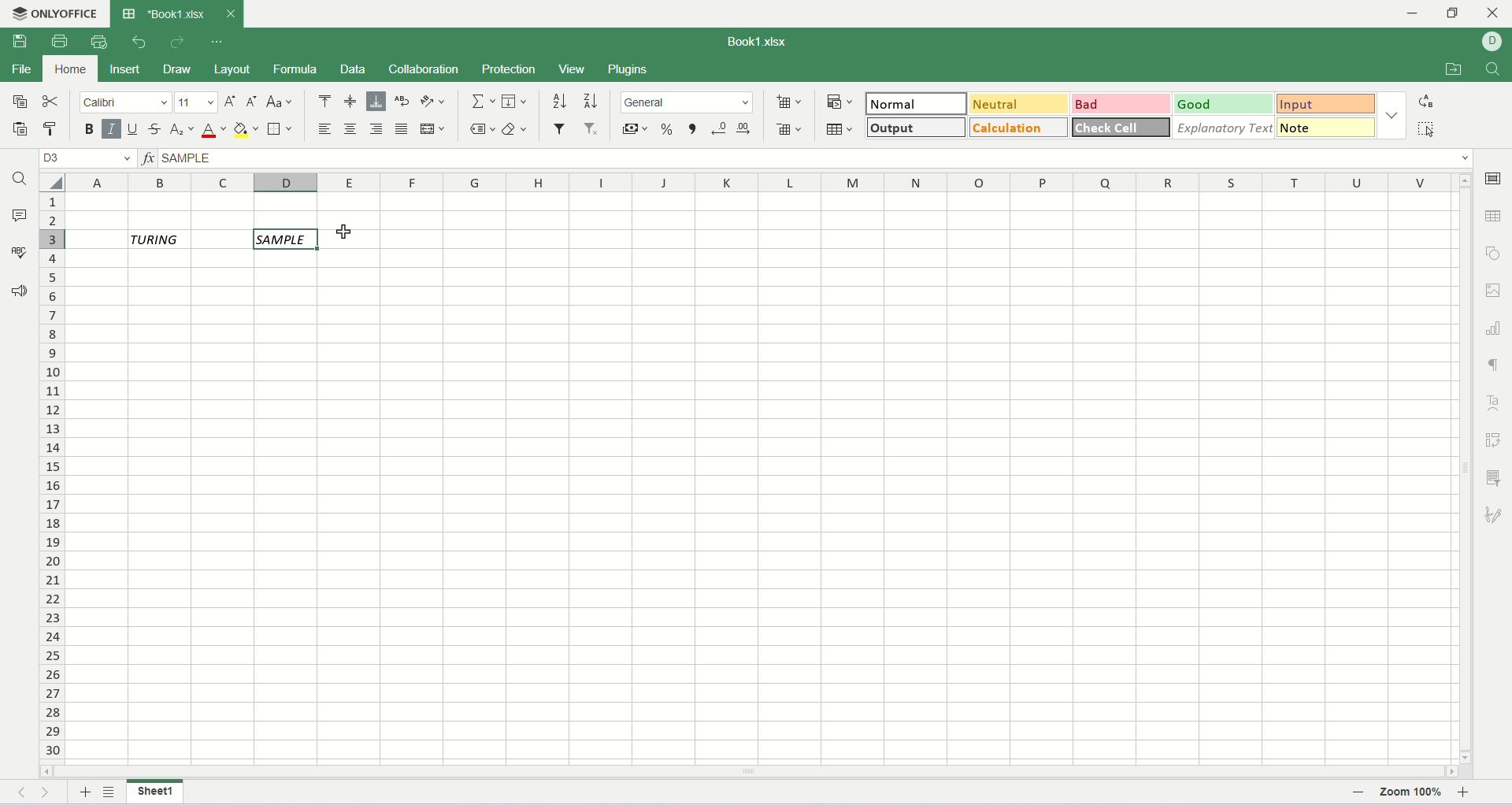  I want to click on percent style, so click(669, 130).